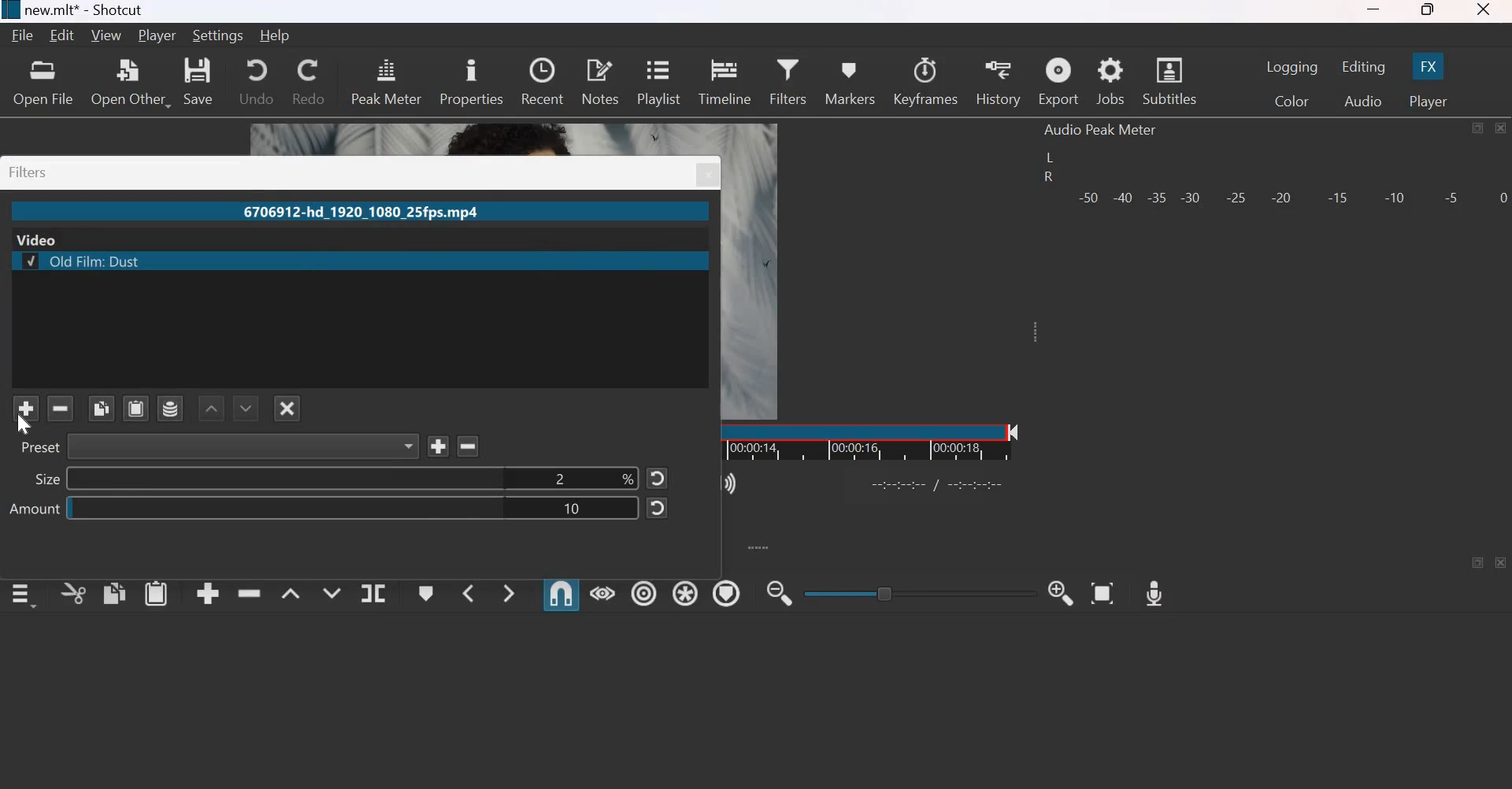 Image resolution: width=1512 pixels, height=789 pixels. I want to click on View, so click(106, 37).